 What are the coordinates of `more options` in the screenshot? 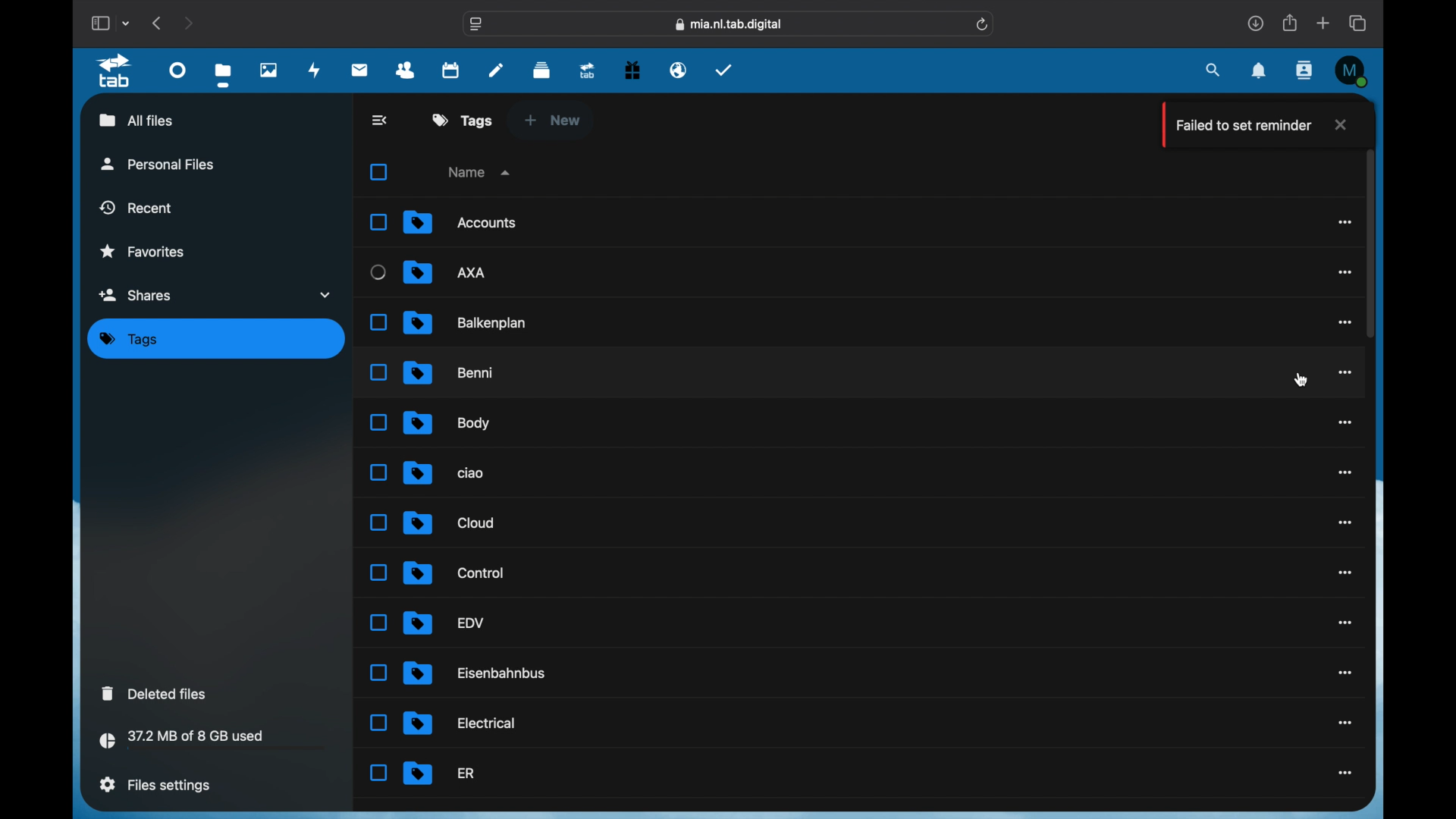 It's located at (1345, 773).